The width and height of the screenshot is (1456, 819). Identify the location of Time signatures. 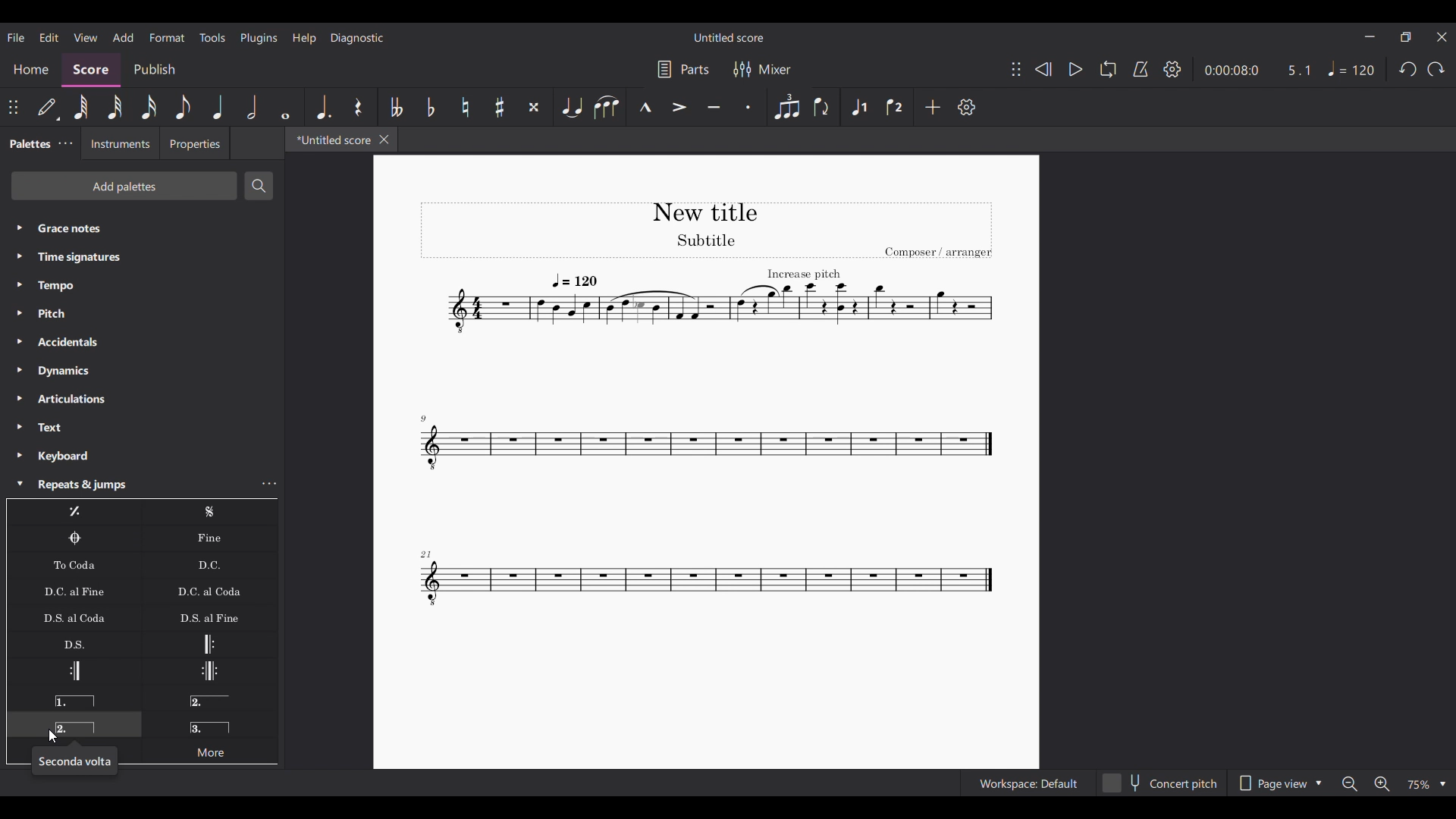
(142, 258).